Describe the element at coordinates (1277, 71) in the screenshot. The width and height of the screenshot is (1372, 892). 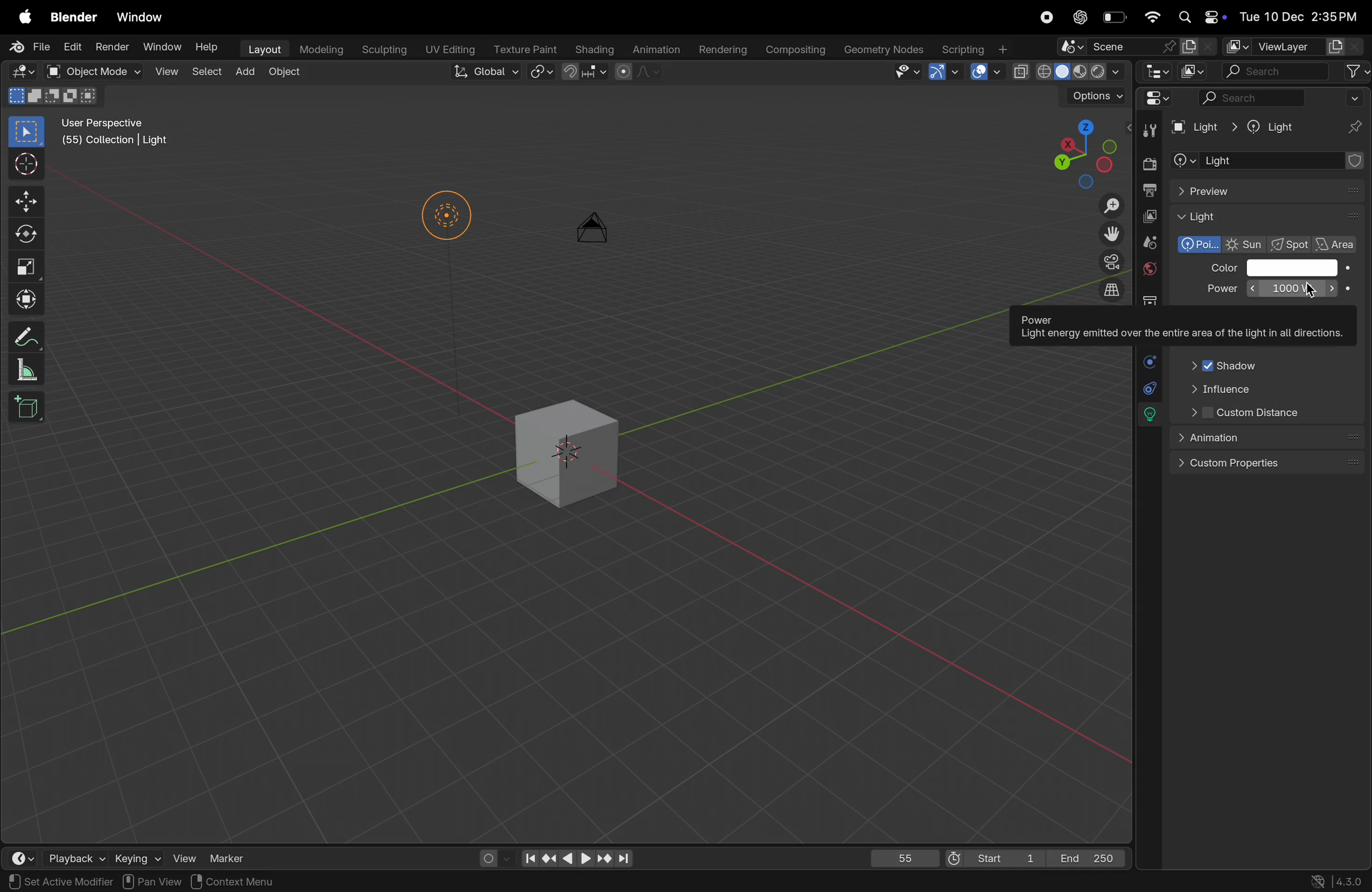
I see `search` at that location.